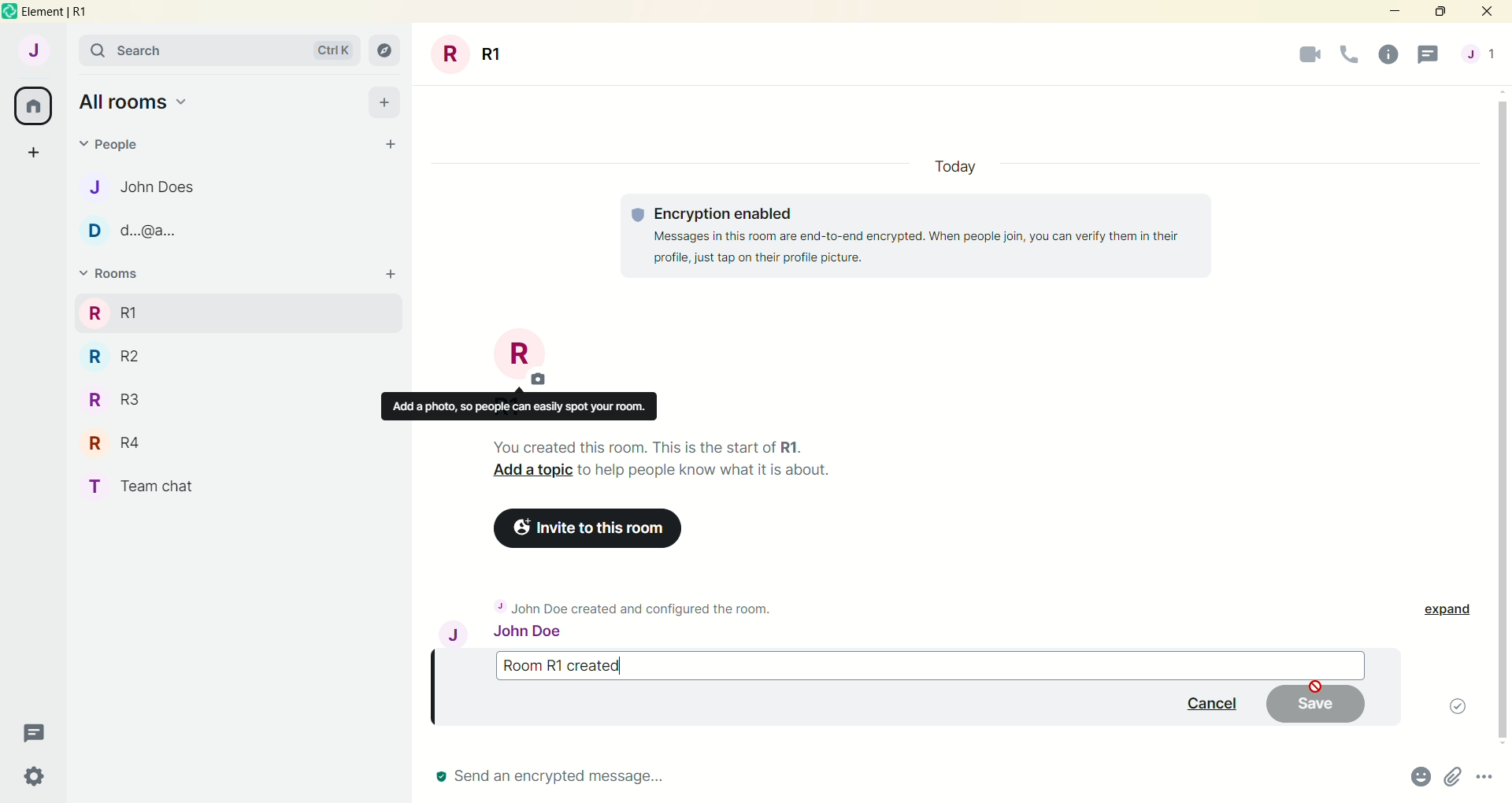  I want to click on start chat, so click(385, 142).